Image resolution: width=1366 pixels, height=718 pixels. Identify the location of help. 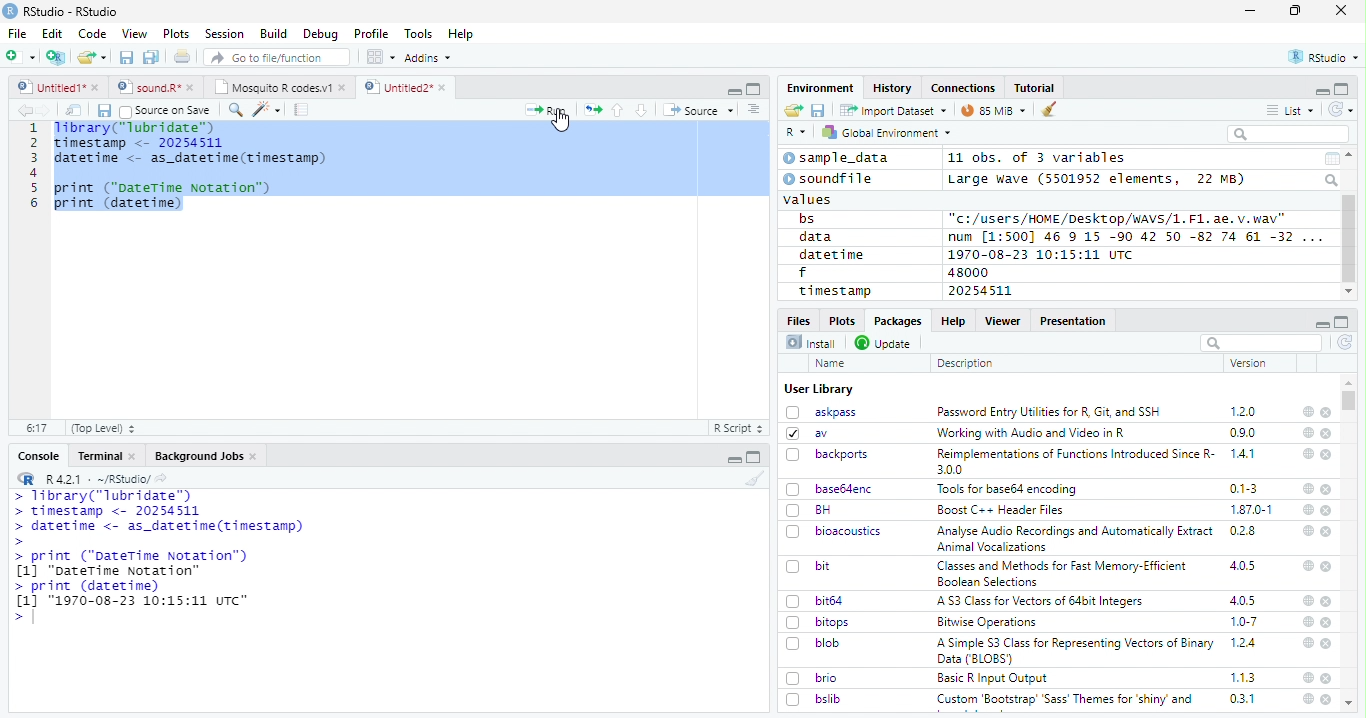
(1307, 699).